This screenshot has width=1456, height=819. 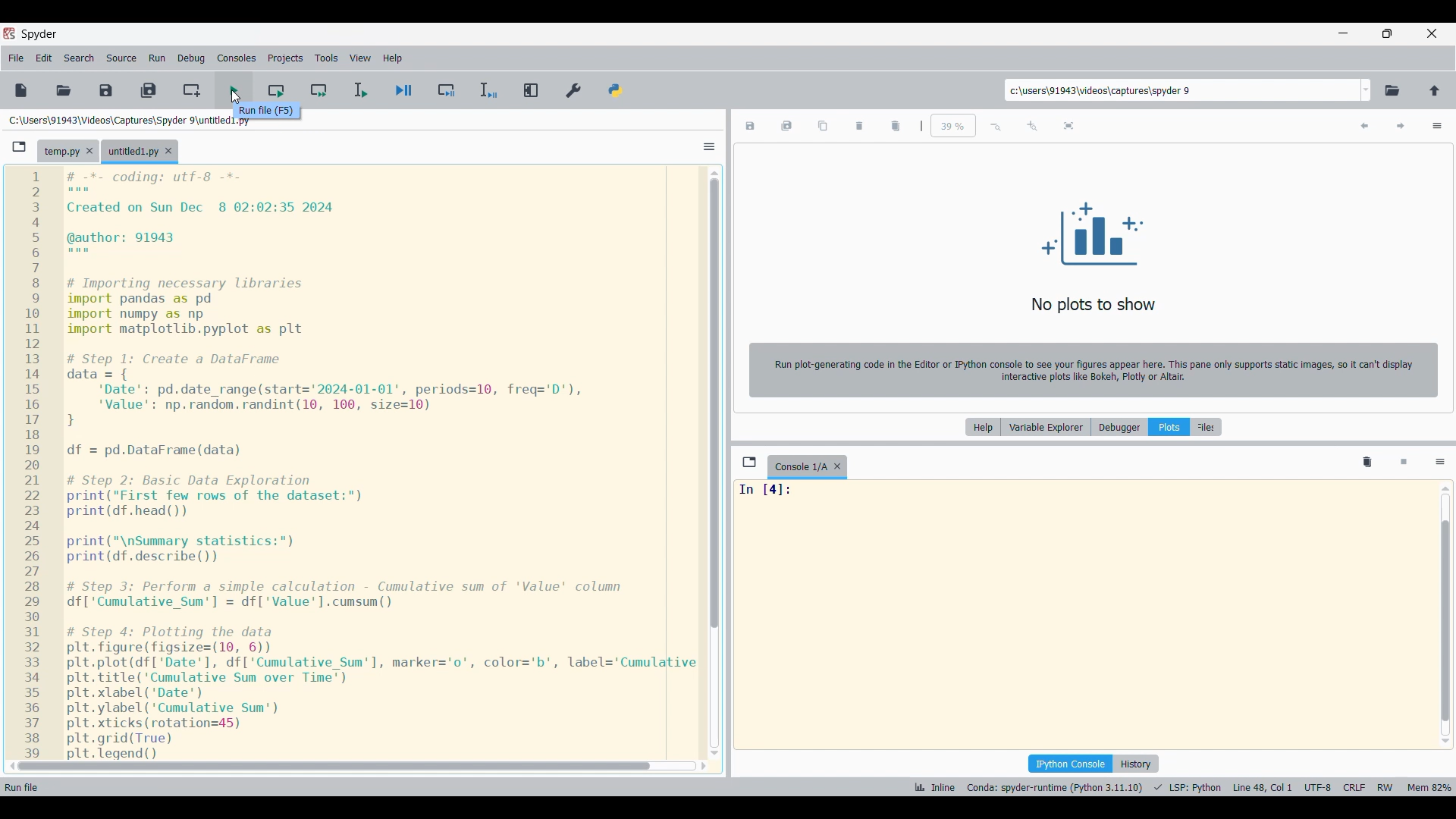 What do you see at coordinates (286, 58) in the screenshot?
I see `Projects menu` at bounding box center [286, 58].